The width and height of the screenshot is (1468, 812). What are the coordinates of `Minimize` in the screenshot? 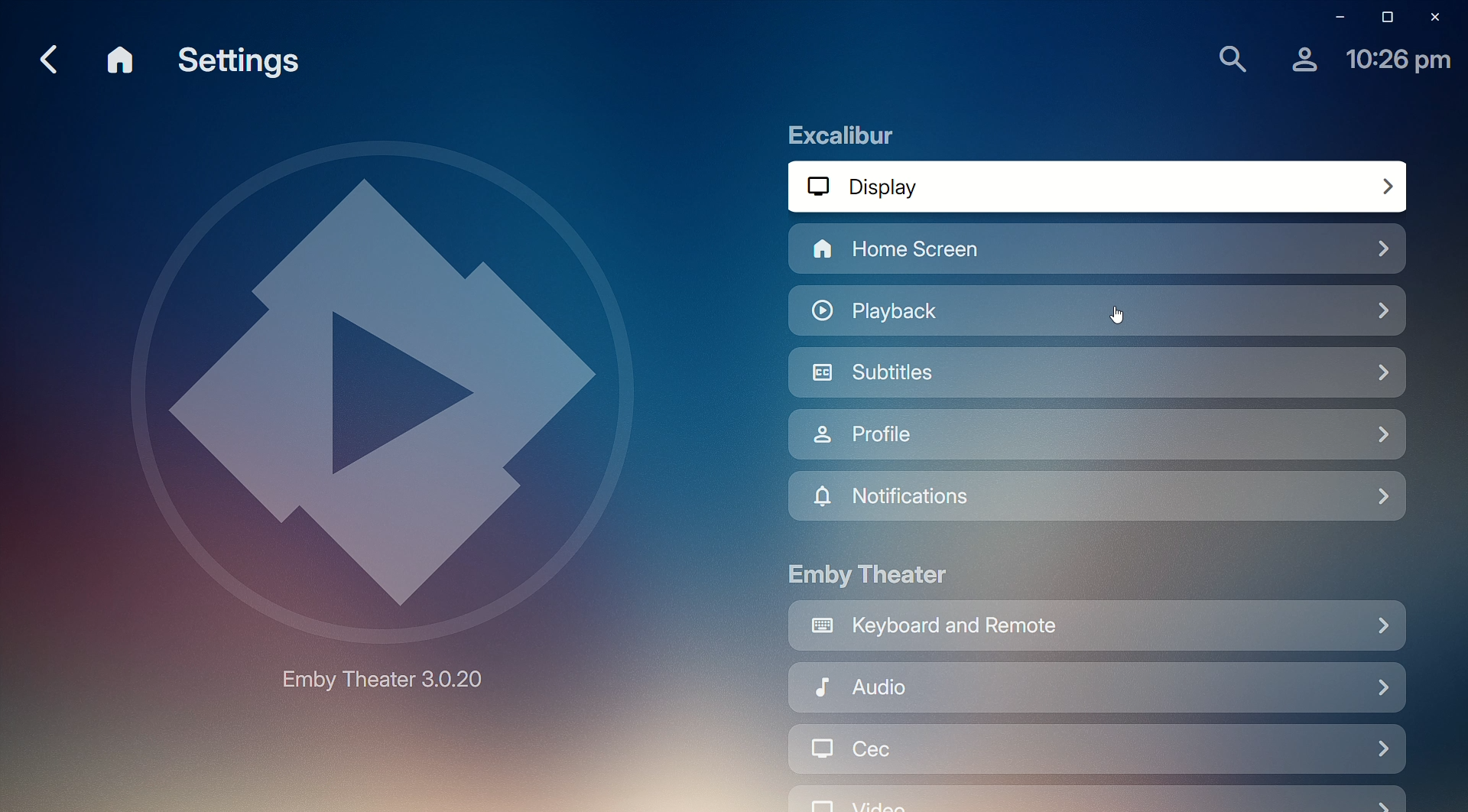 It's located at (1333, 16).